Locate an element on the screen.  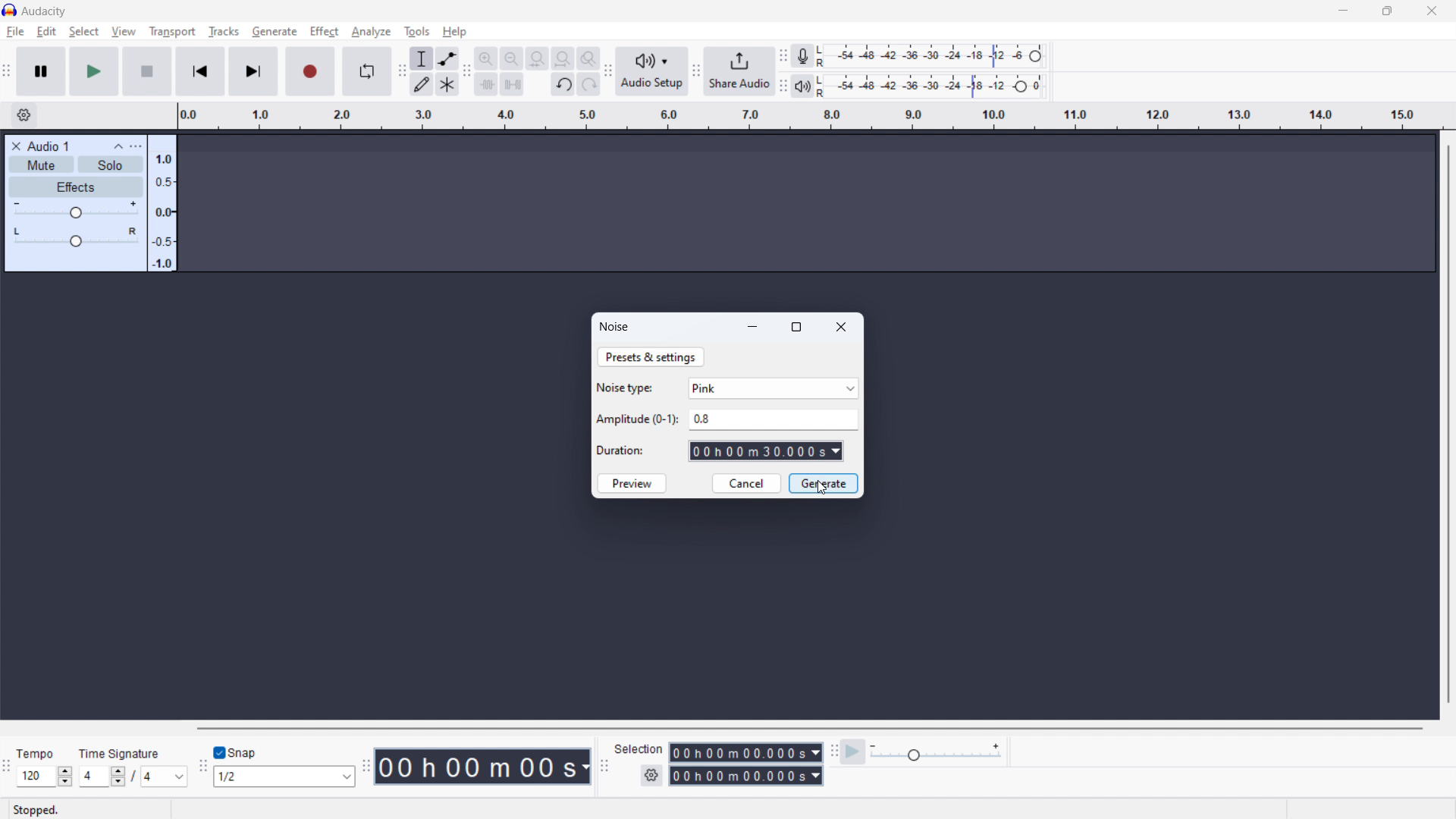
end time is located at coordinates (745, 775).